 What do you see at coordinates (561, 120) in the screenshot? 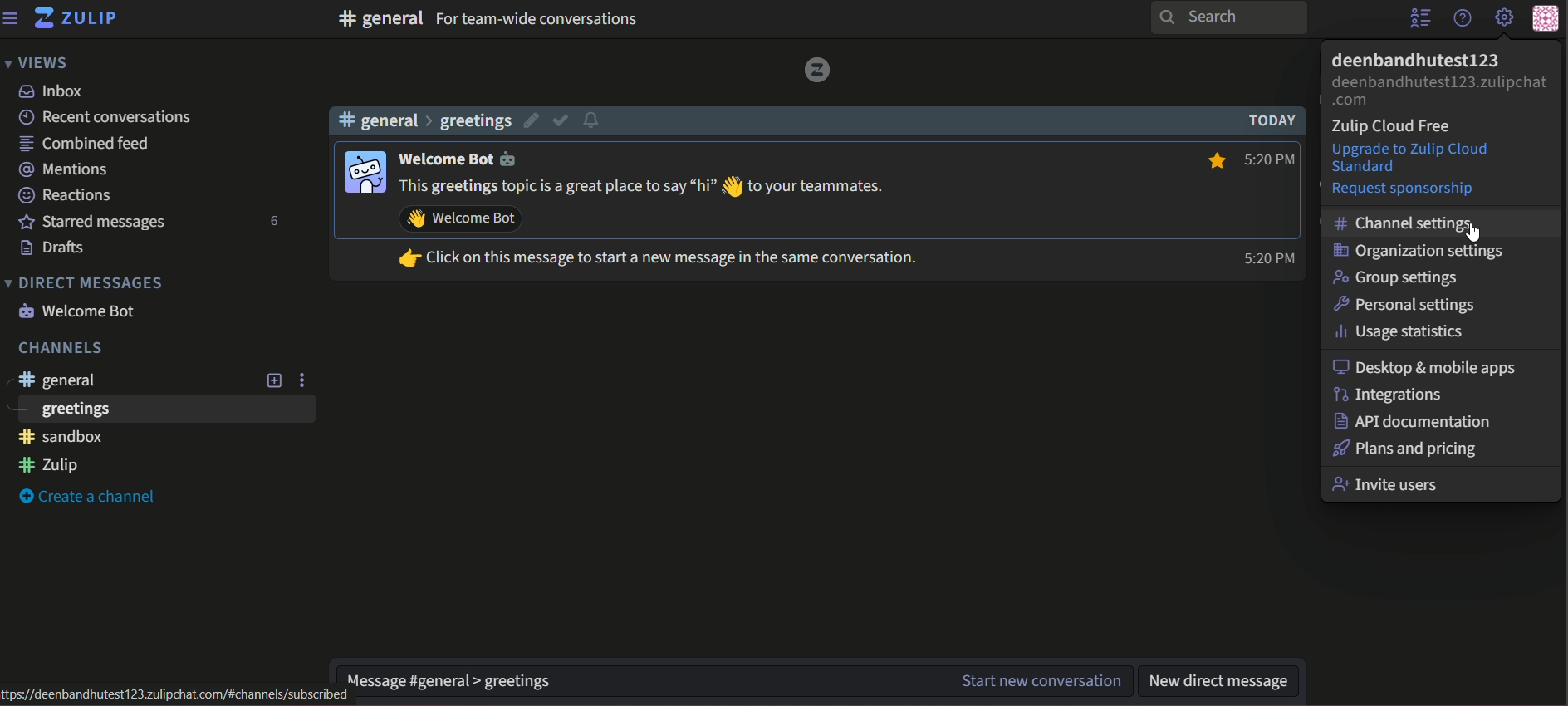
I see `mark` at bounding box center [561, 120].